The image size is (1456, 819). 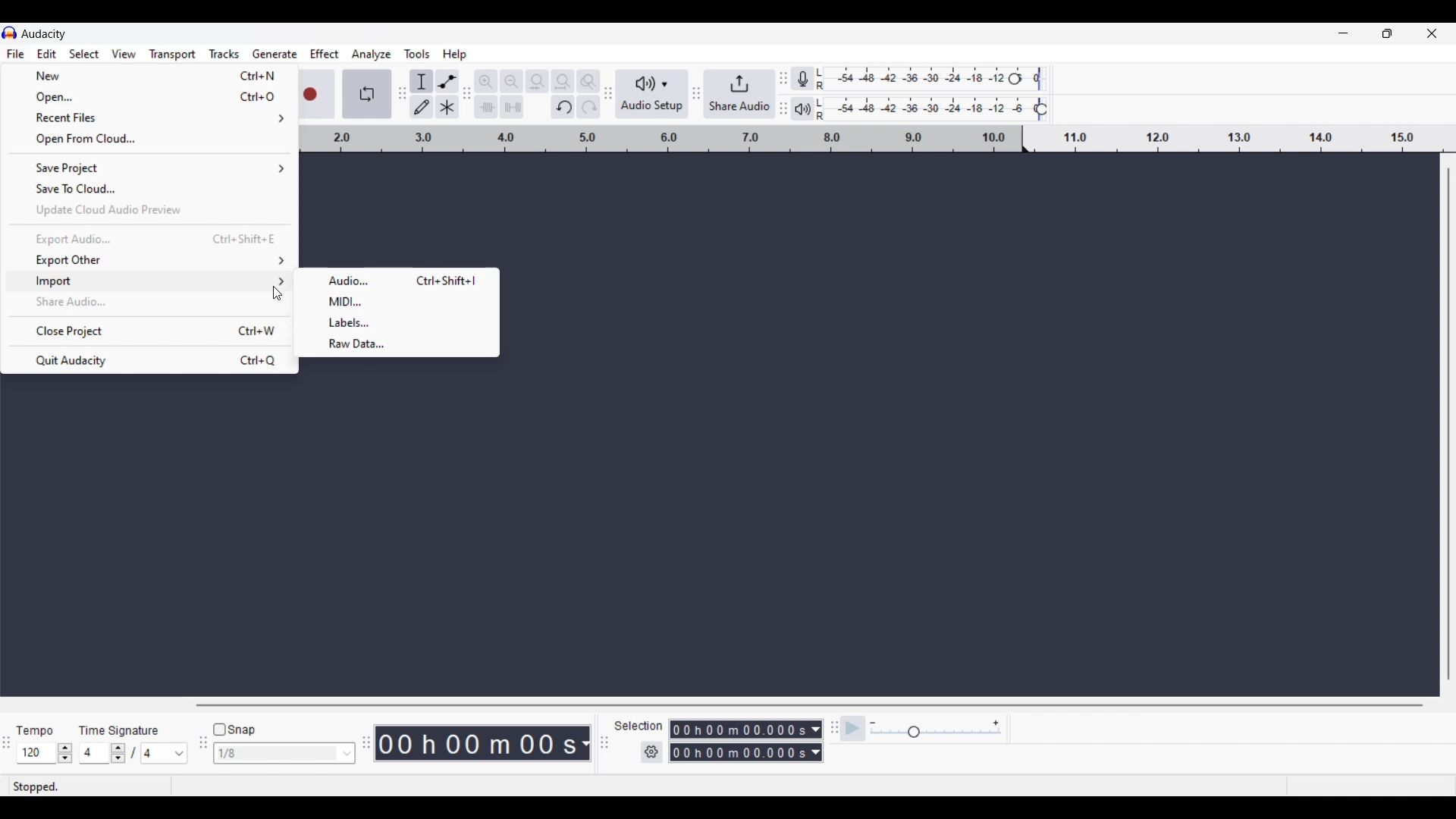 I want to click on Playback meter, so click(x=812, y=108).